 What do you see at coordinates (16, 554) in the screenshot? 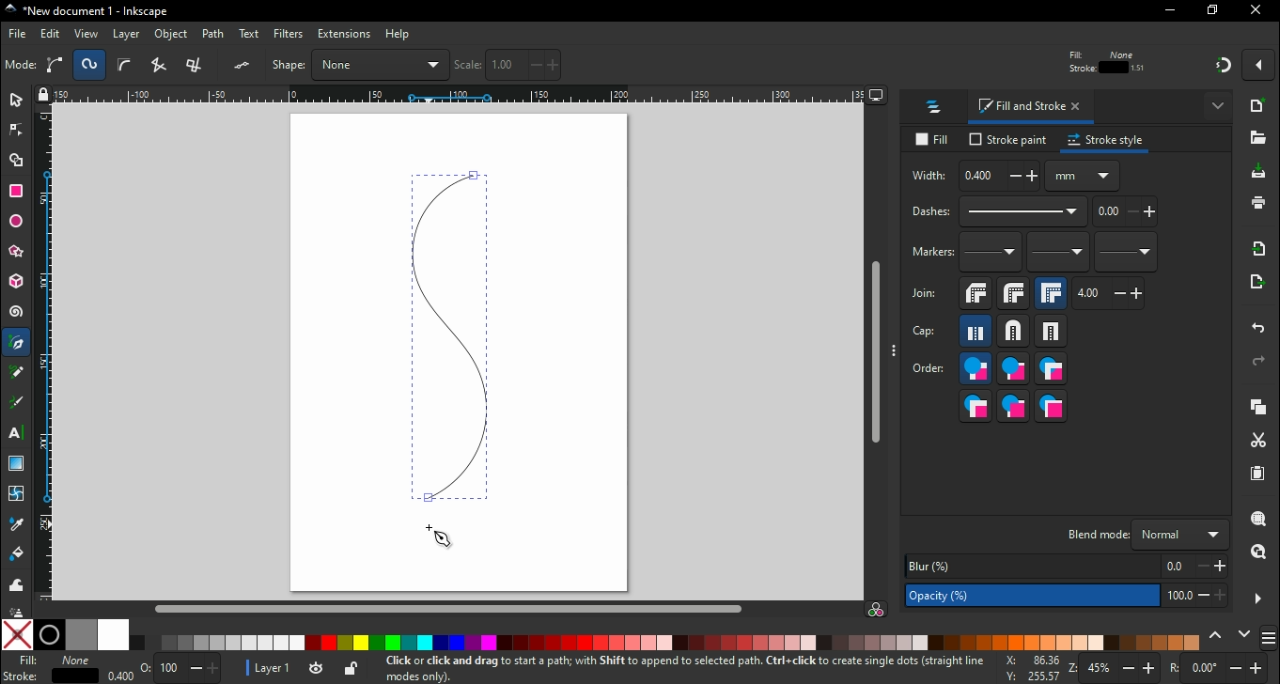
I see `paint bucket tool` at bounding box center [16, 554].